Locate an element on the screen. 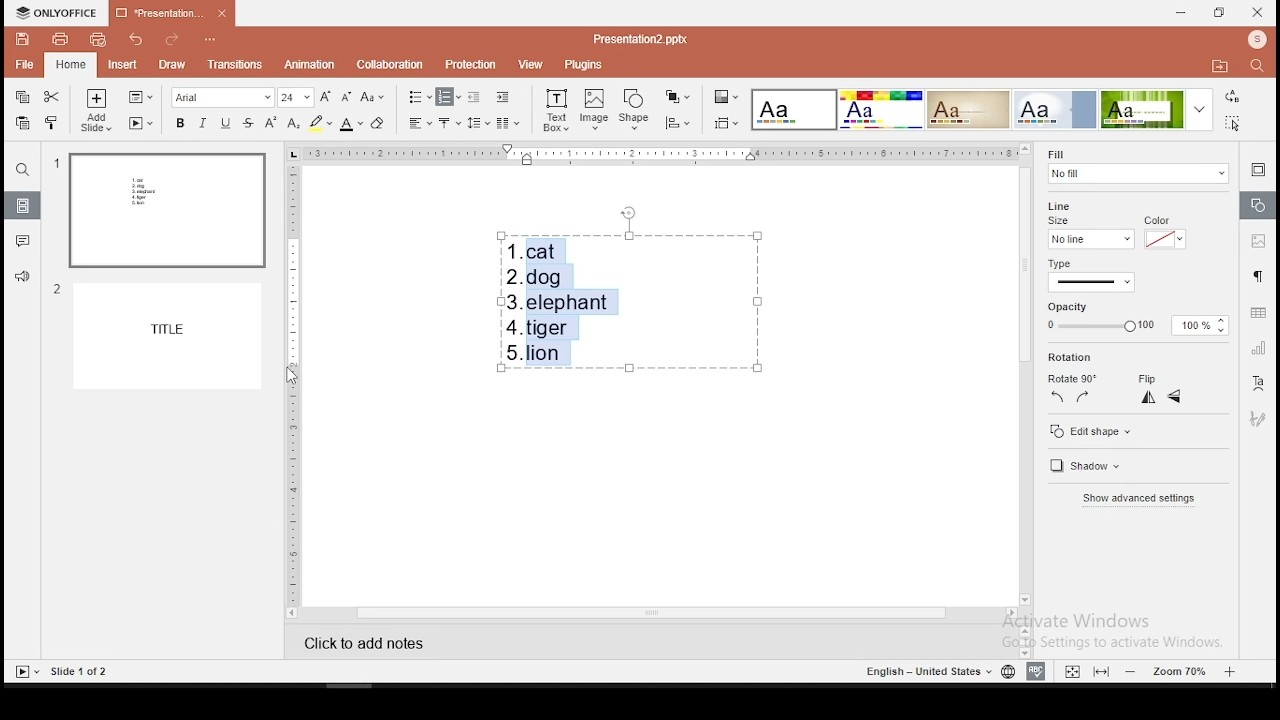  add slide is located at coordinates (94, 110).